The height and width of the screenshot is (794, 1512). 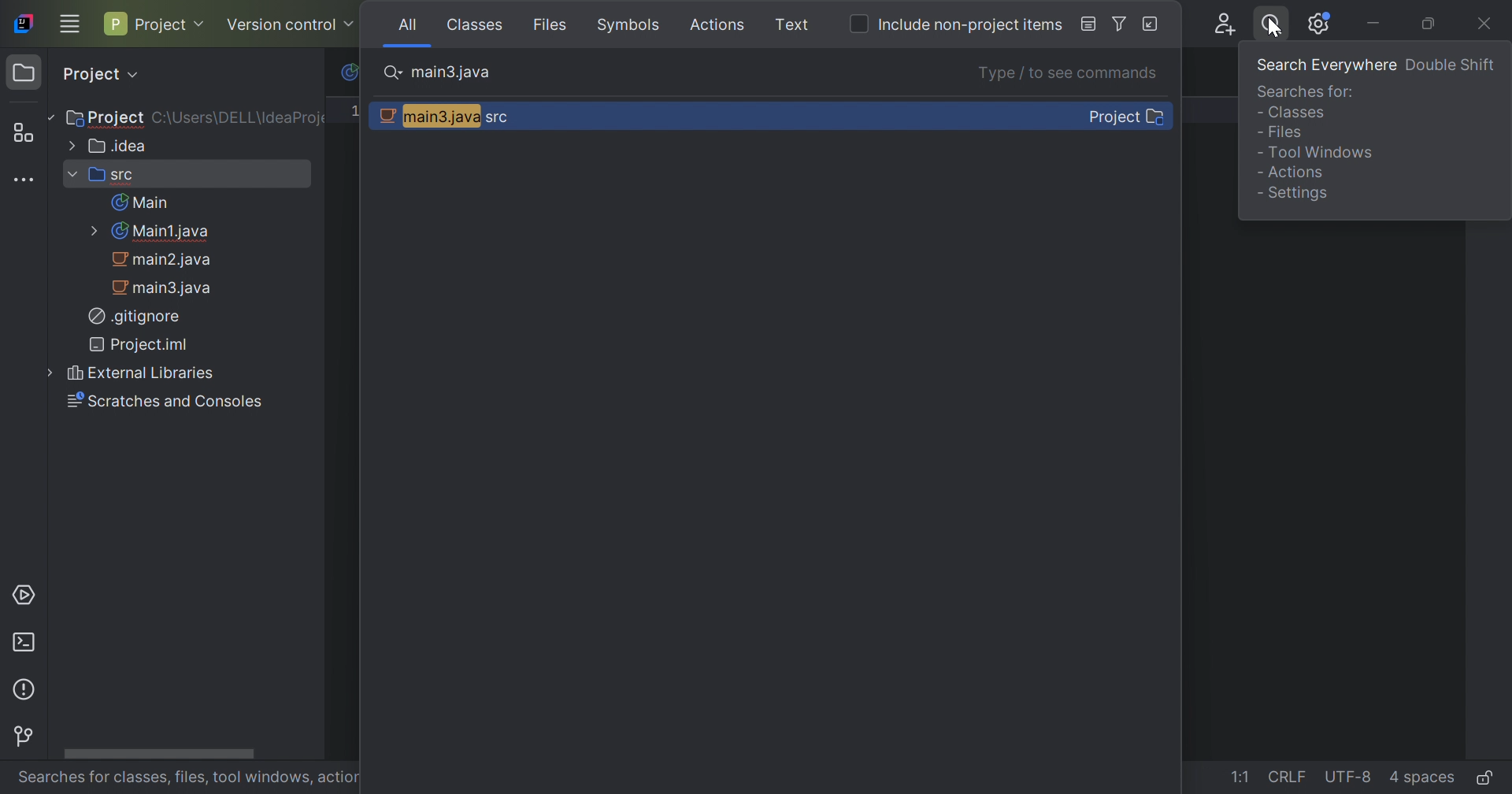 What do you see at coordinates (1241, 777) in the screenshot?
I see `1:1` at bounding box center [1241, 777].